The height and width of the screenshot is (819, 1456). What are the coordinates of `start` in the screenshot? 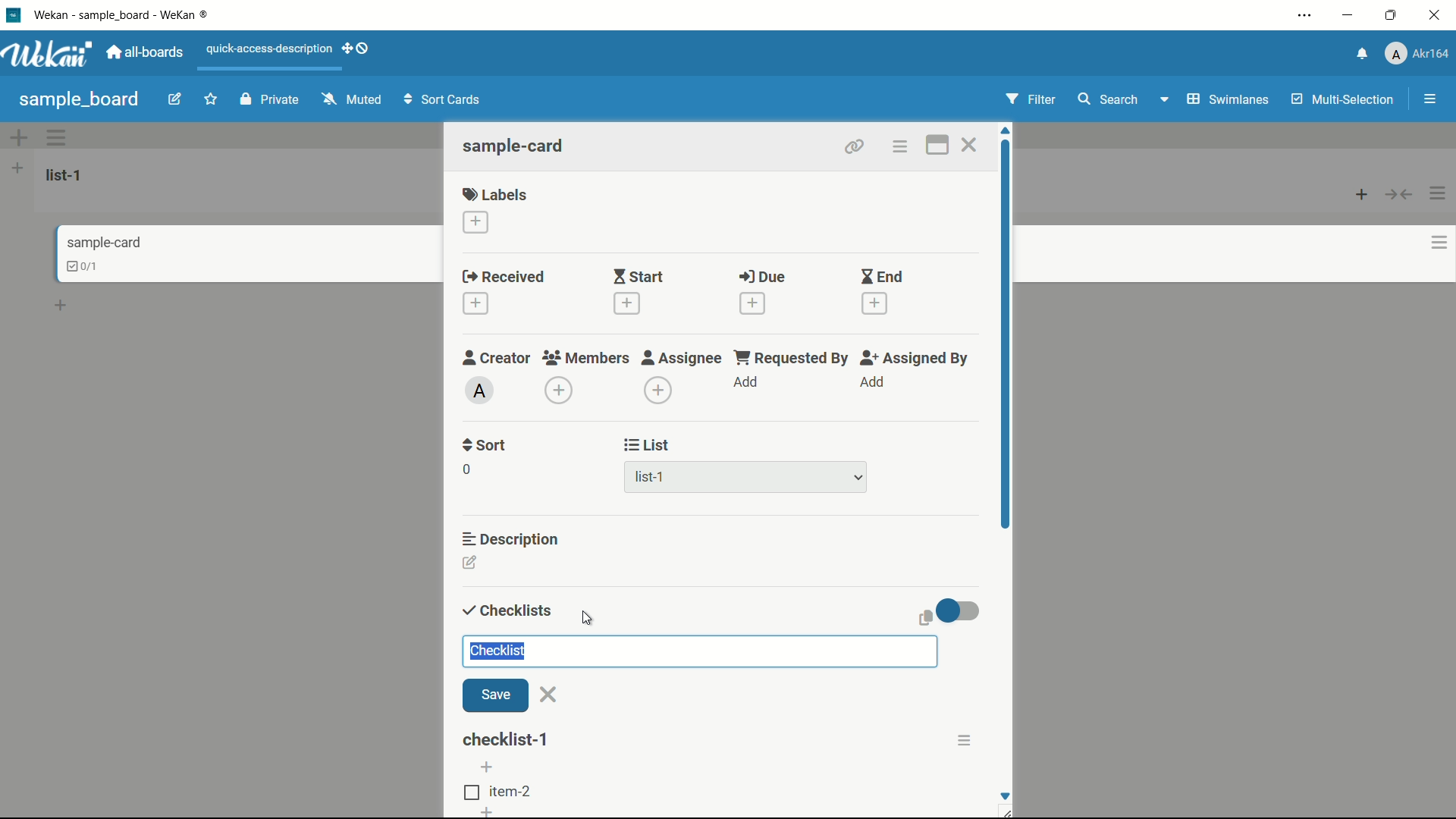 It's located at (638, 278).